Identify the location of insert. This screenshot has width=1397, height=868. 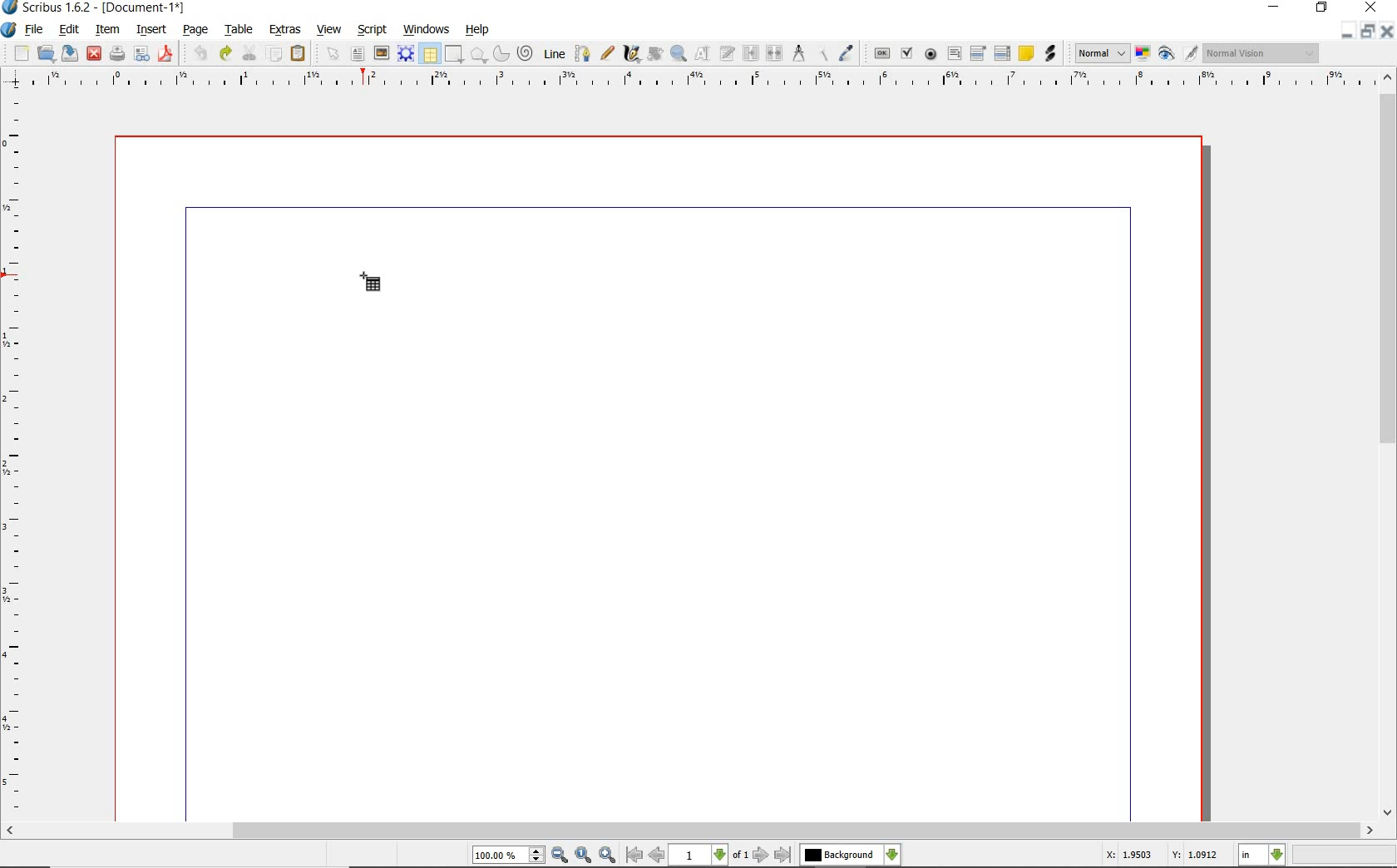
(150, 31).